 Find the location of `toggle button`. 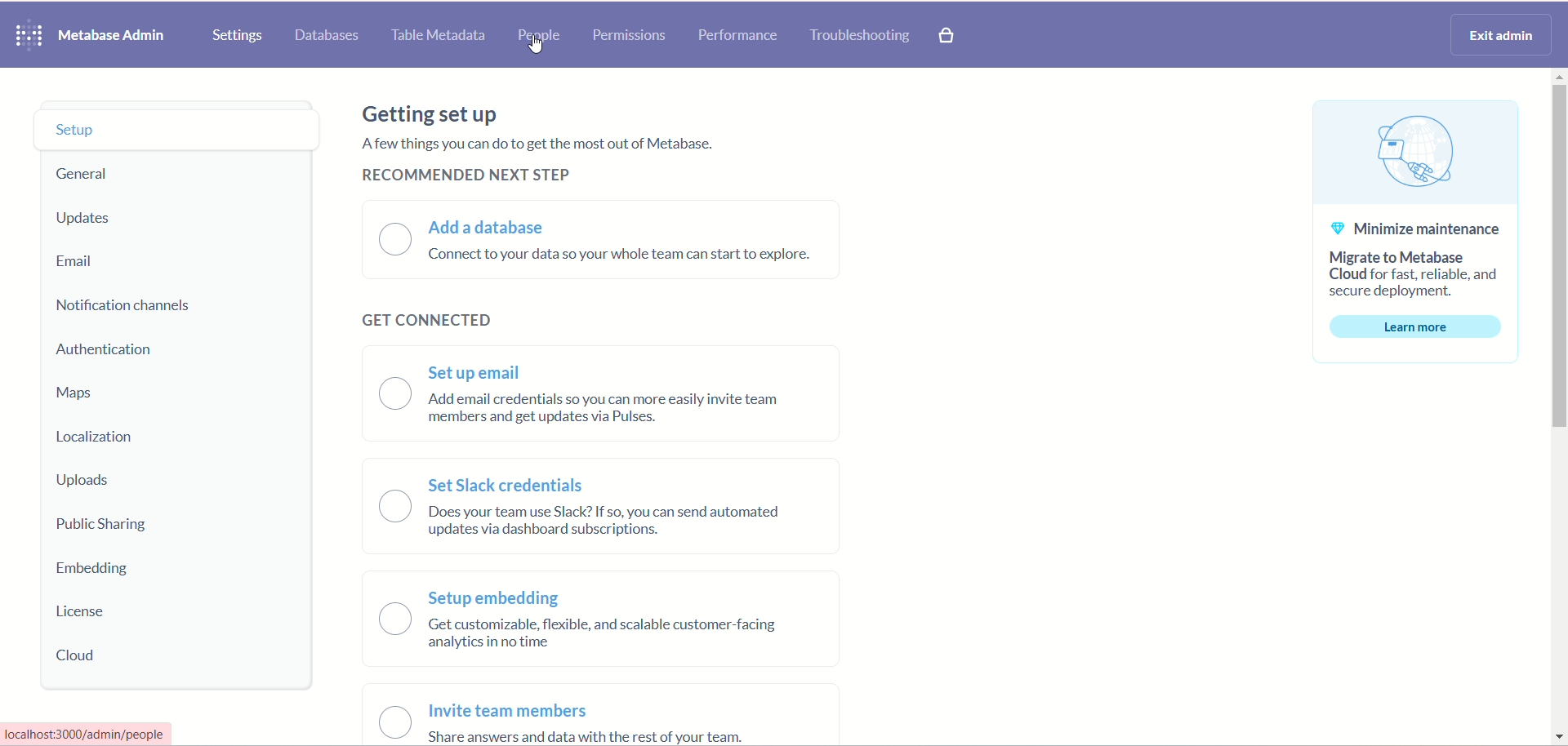

toggle button is located at coordinates (396, 238).